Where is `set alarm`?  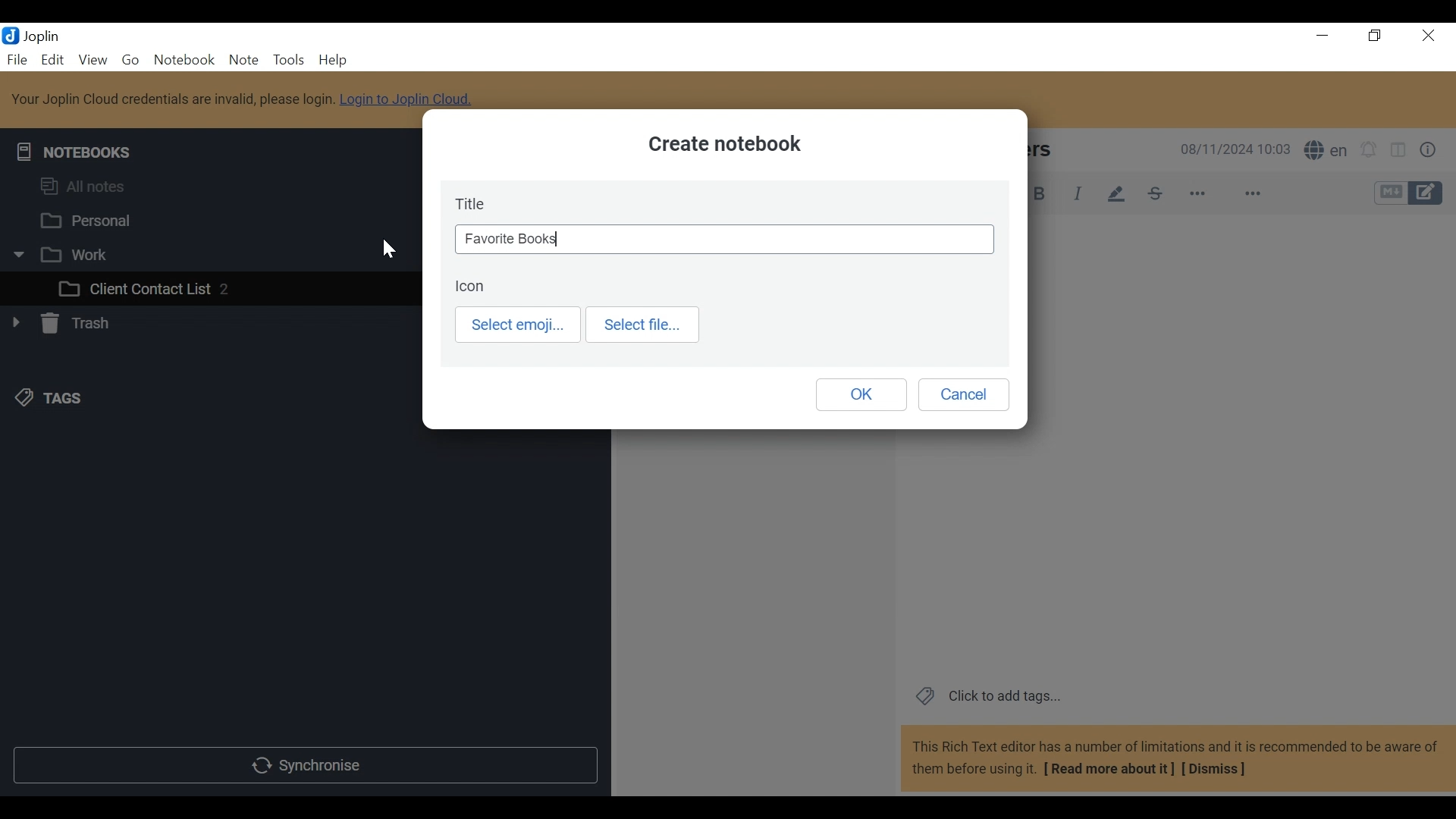 set alarm is located at coordinates (1367, 150).